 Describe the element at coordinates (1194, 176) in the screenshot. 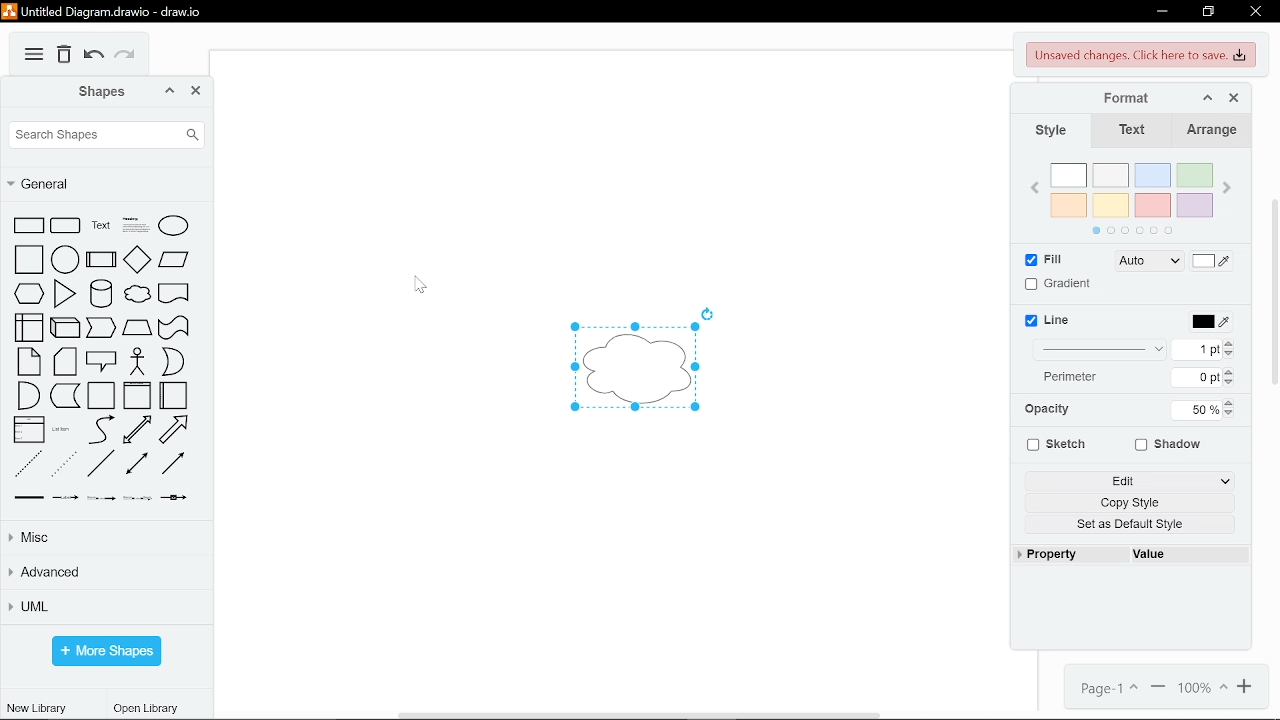

I see `green` at that location.